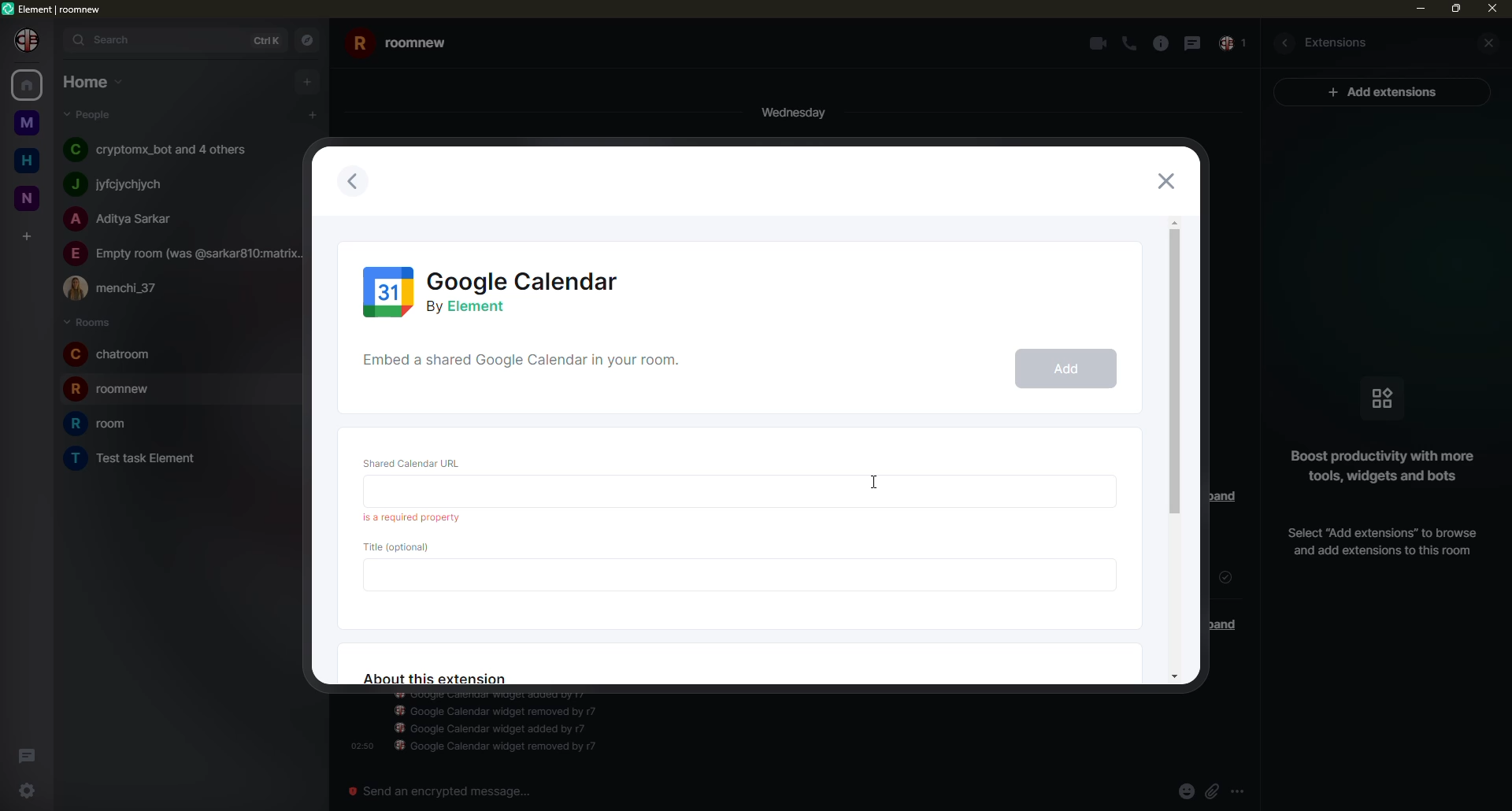  What do you see at coordinates (28, 161) in the screenshot?
I see `home` at bounding box center [28, 161].